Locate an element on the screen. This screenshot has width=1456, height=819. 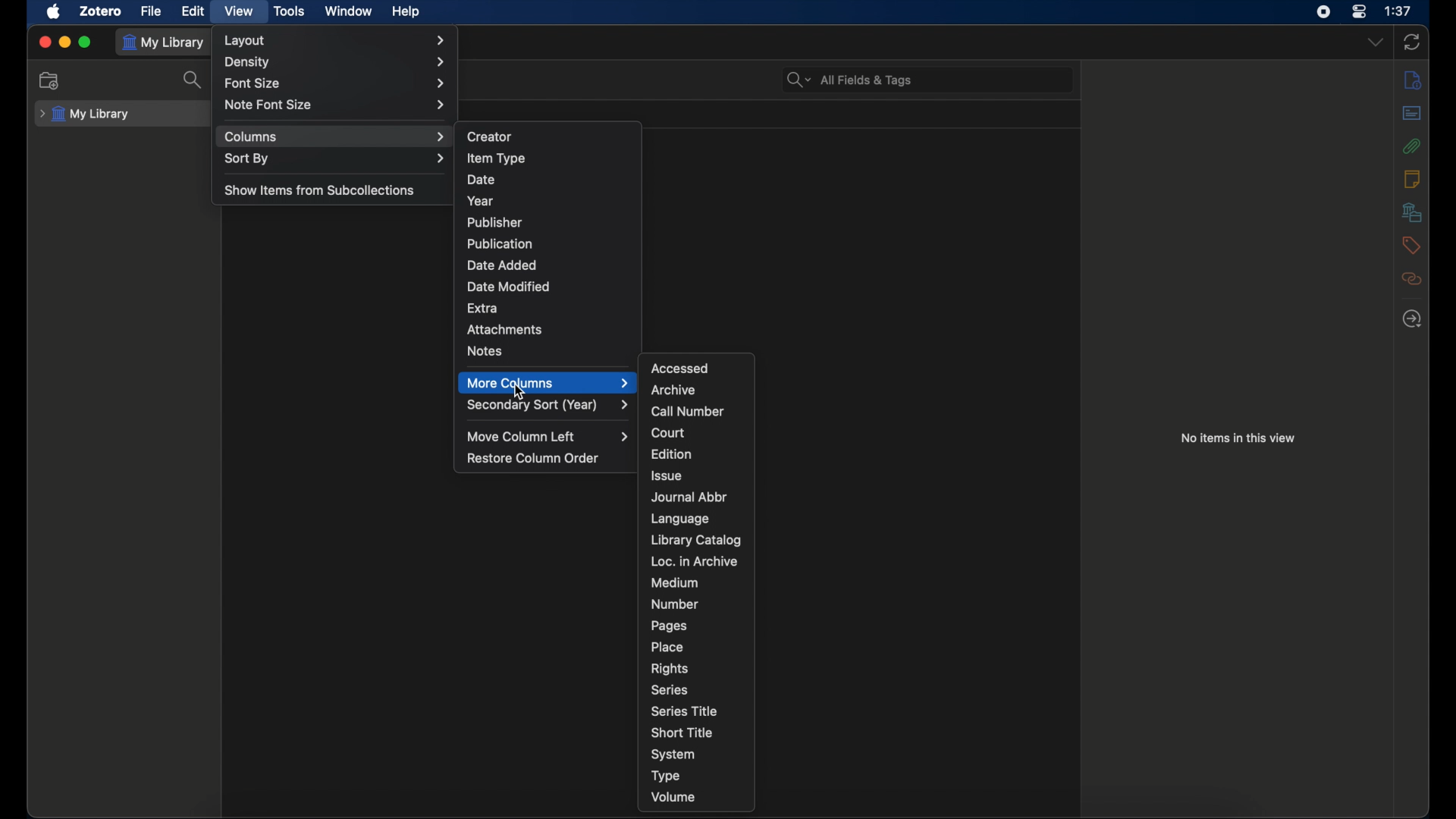
medium is located at coordinates (674, 583).